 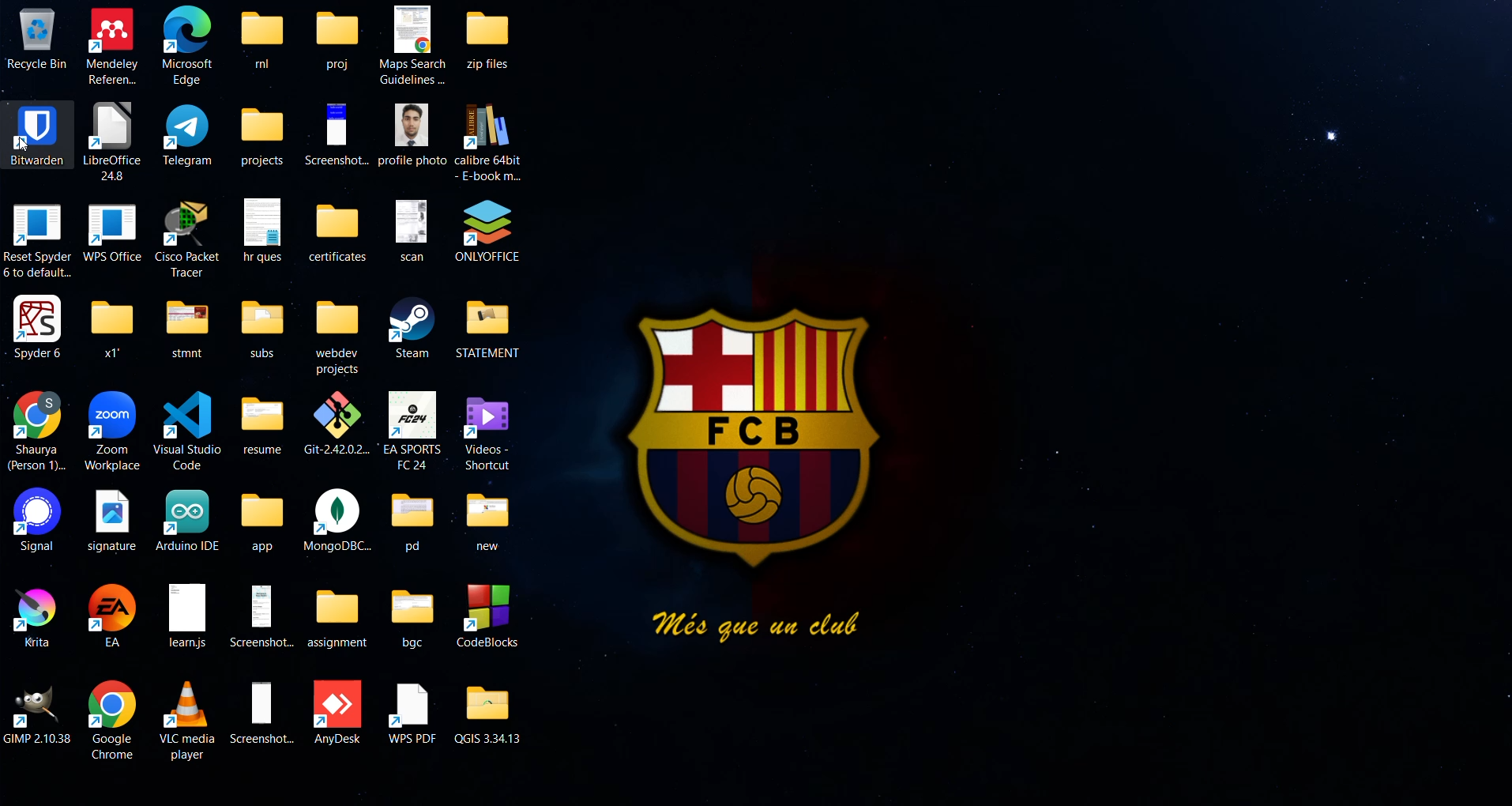 What do you see at coordinates (188, 47) in the screenshot?
I see `Microsoft Edge` at bounding box center [188, 47].